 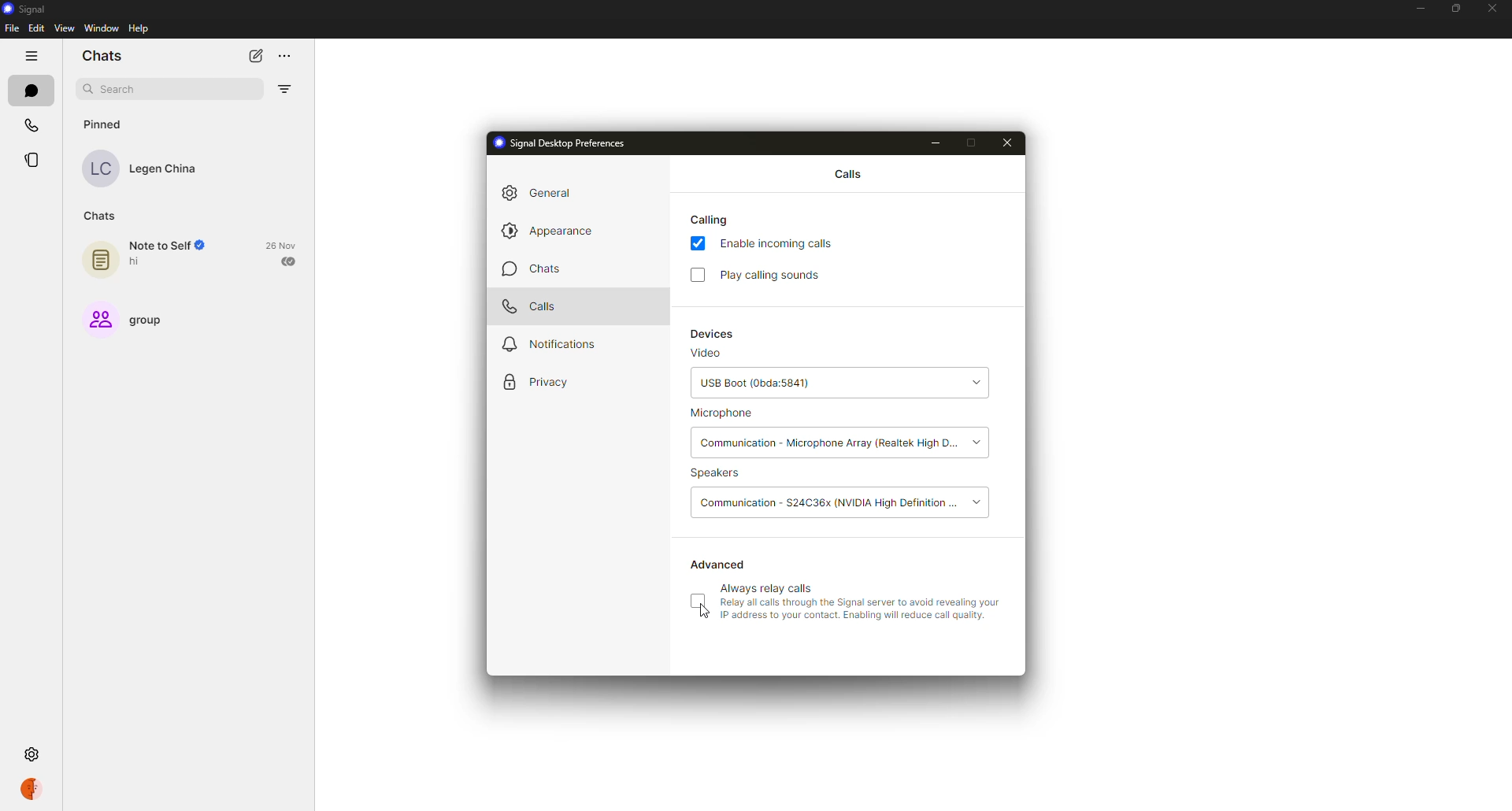 What do you see at coordinates (31, 160) in the screenshot?
I see `stories` at bounding box center [31, 160].